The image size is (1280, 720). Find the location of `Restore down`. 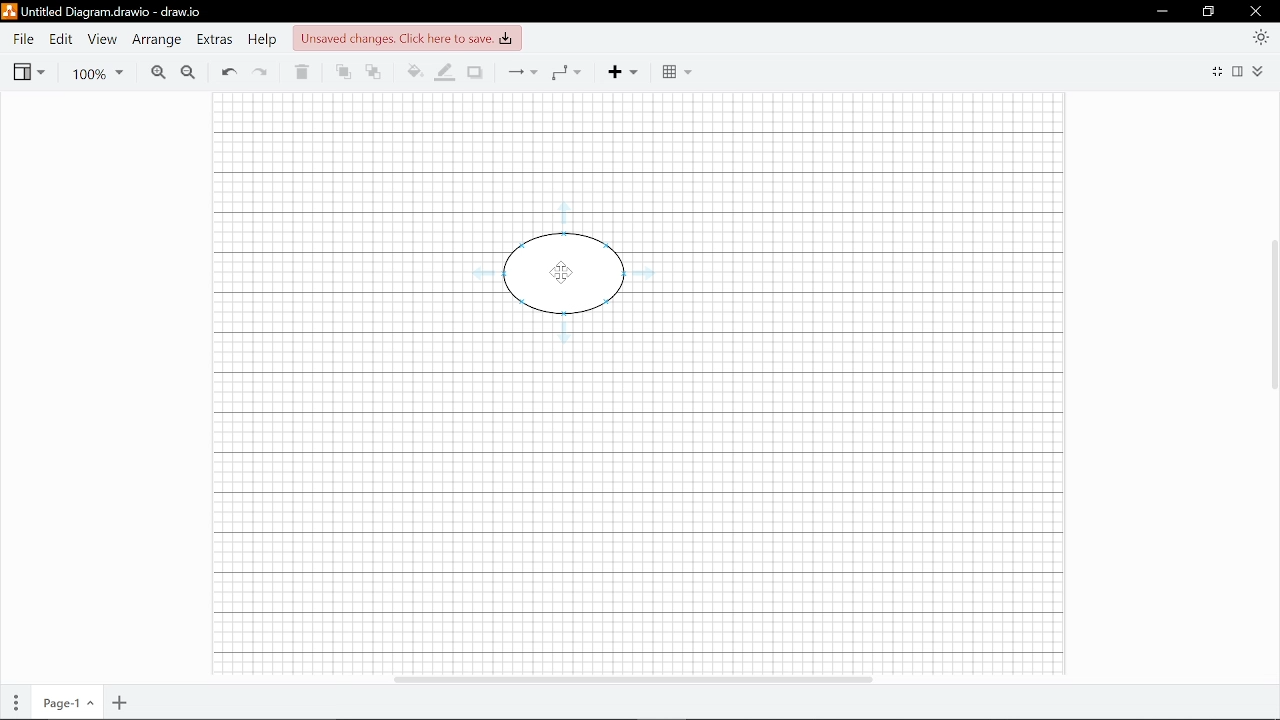

Restore down is located at coordinates (1209, 13).